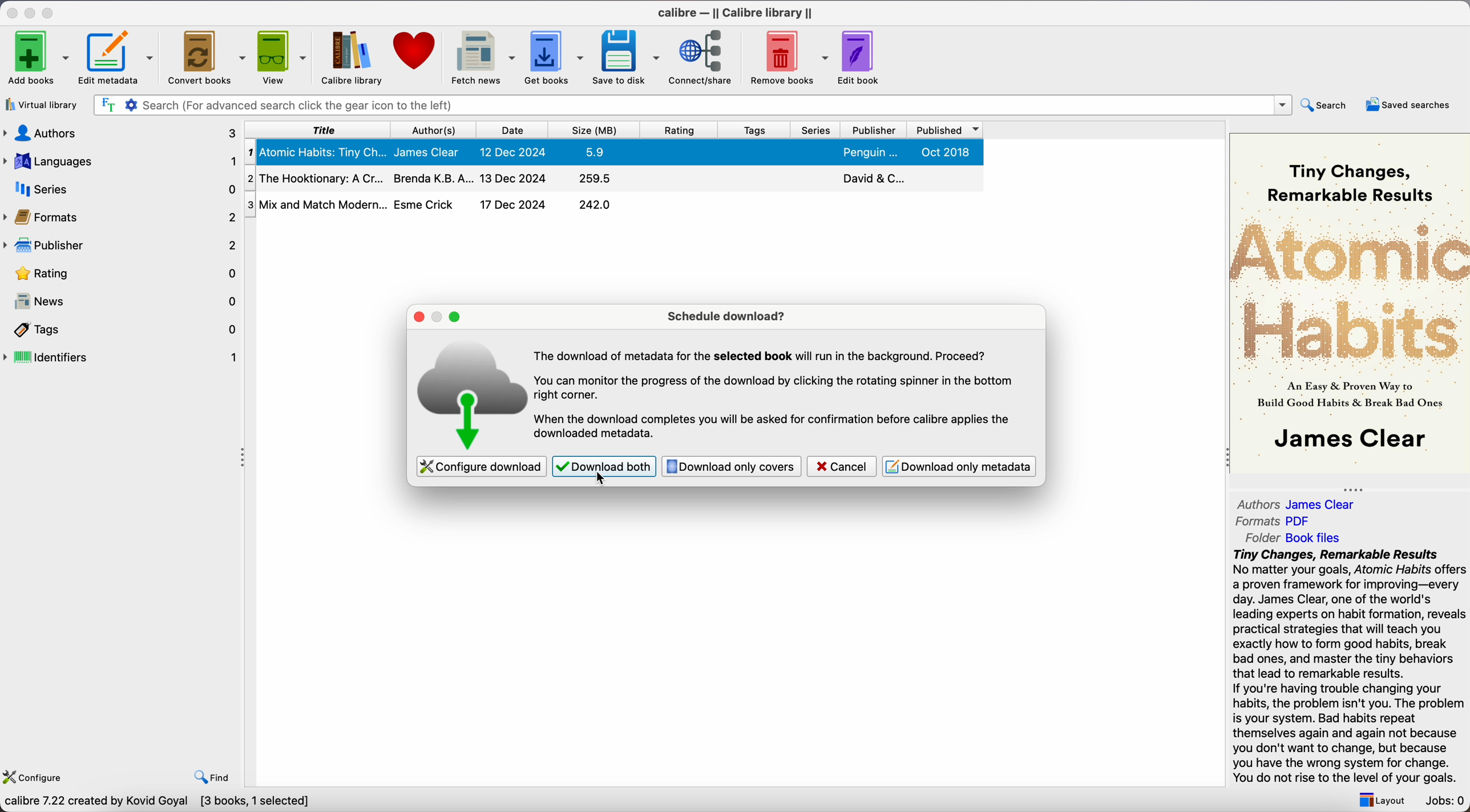  What do you see at coordinates (430, 152) in the screenshot?
I see `James Clear` at bounding box center [430, 152].